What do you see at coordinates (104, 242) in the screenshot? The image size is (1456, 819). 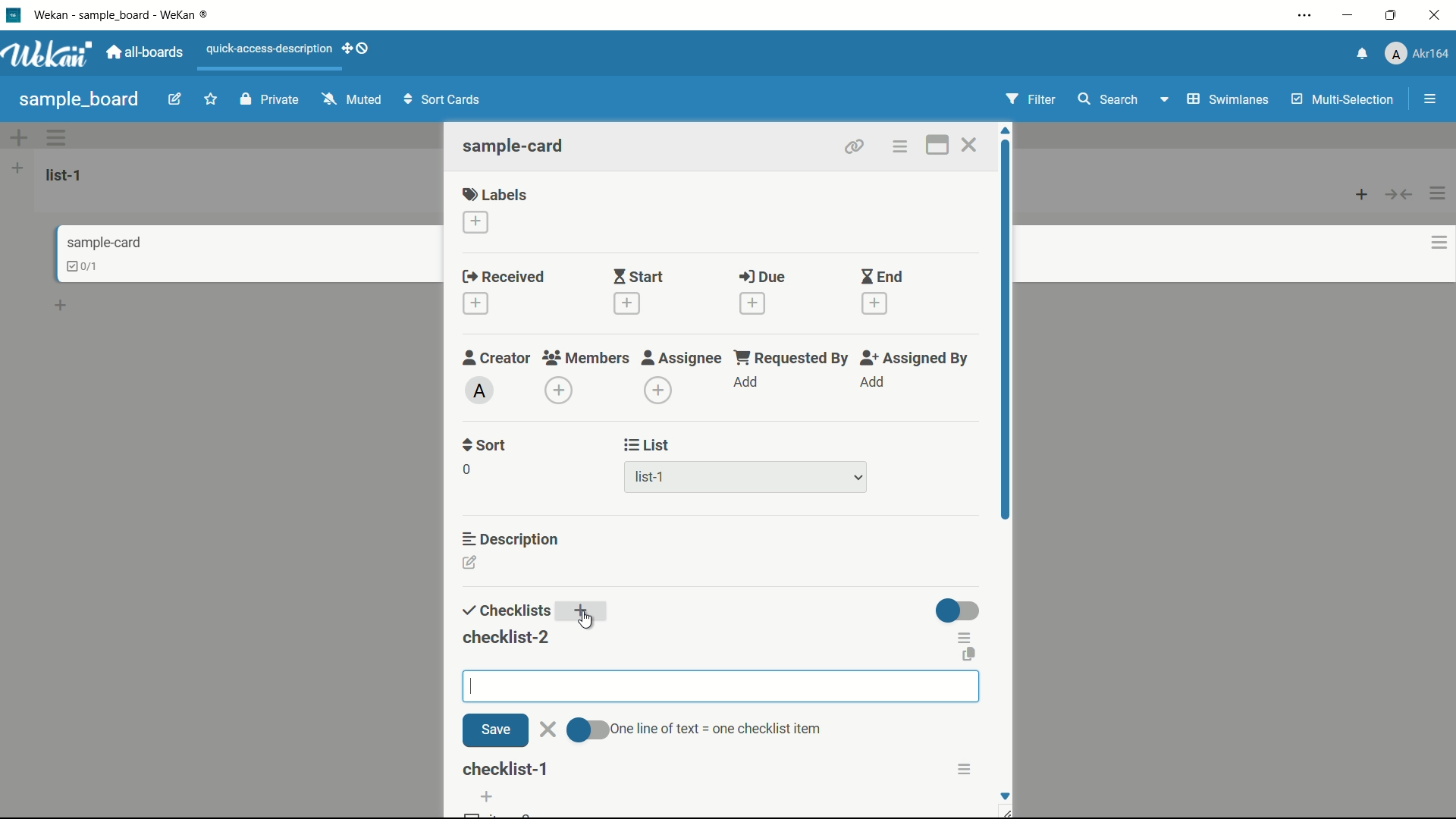 I see `card name` at bounding box center [104, 242].